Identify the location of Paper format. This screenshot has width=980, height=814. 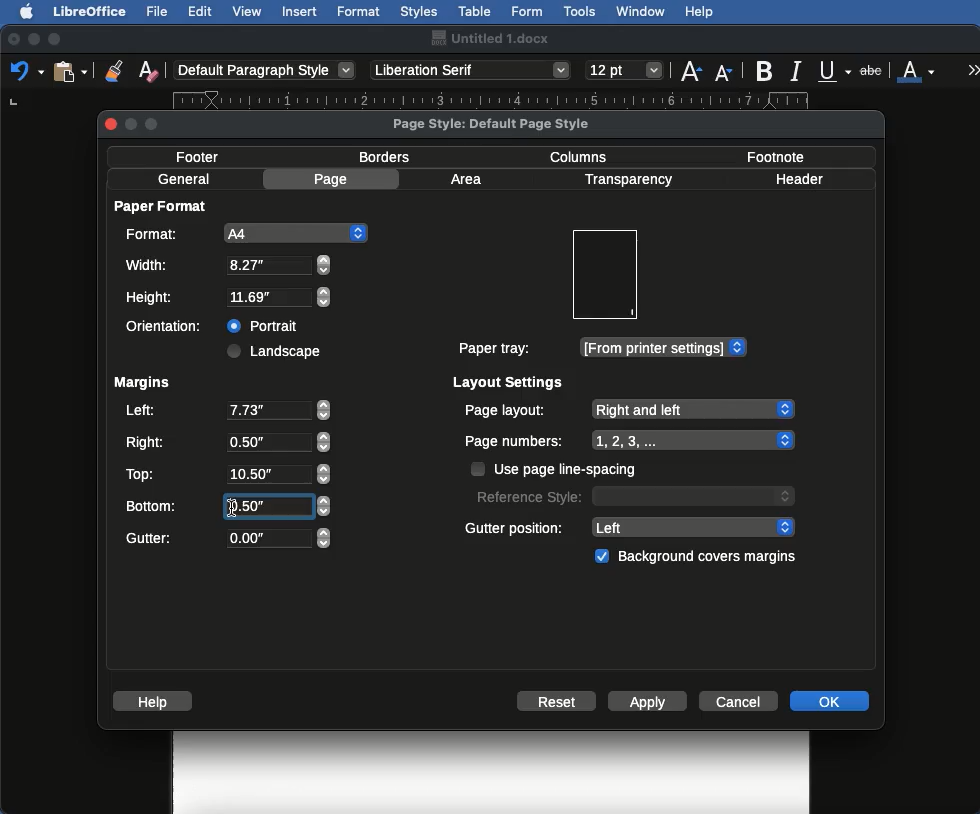
(162, 205).